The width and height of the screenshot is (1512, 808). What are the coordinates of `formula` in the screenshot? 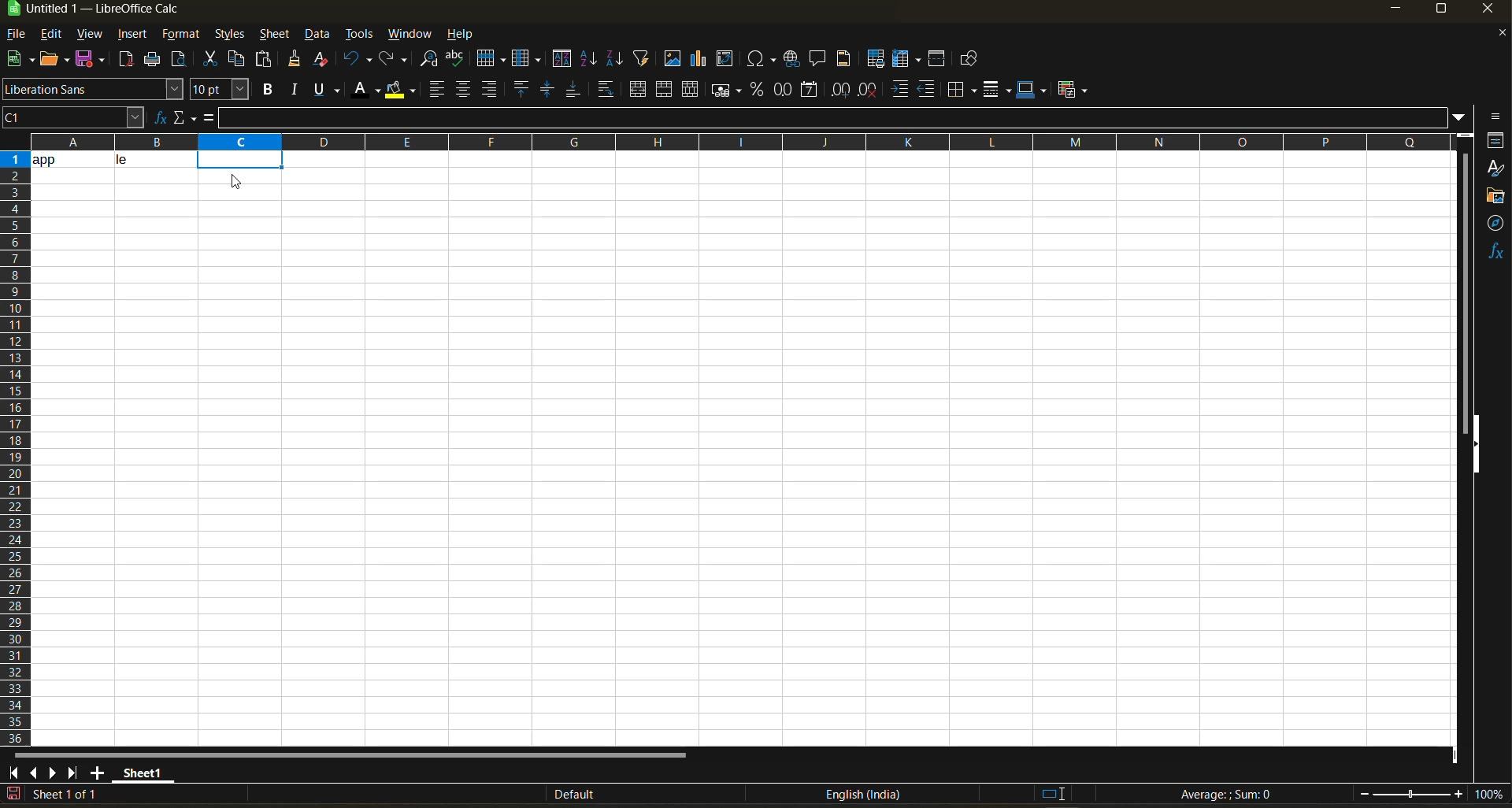 It's located at (1231, 796).